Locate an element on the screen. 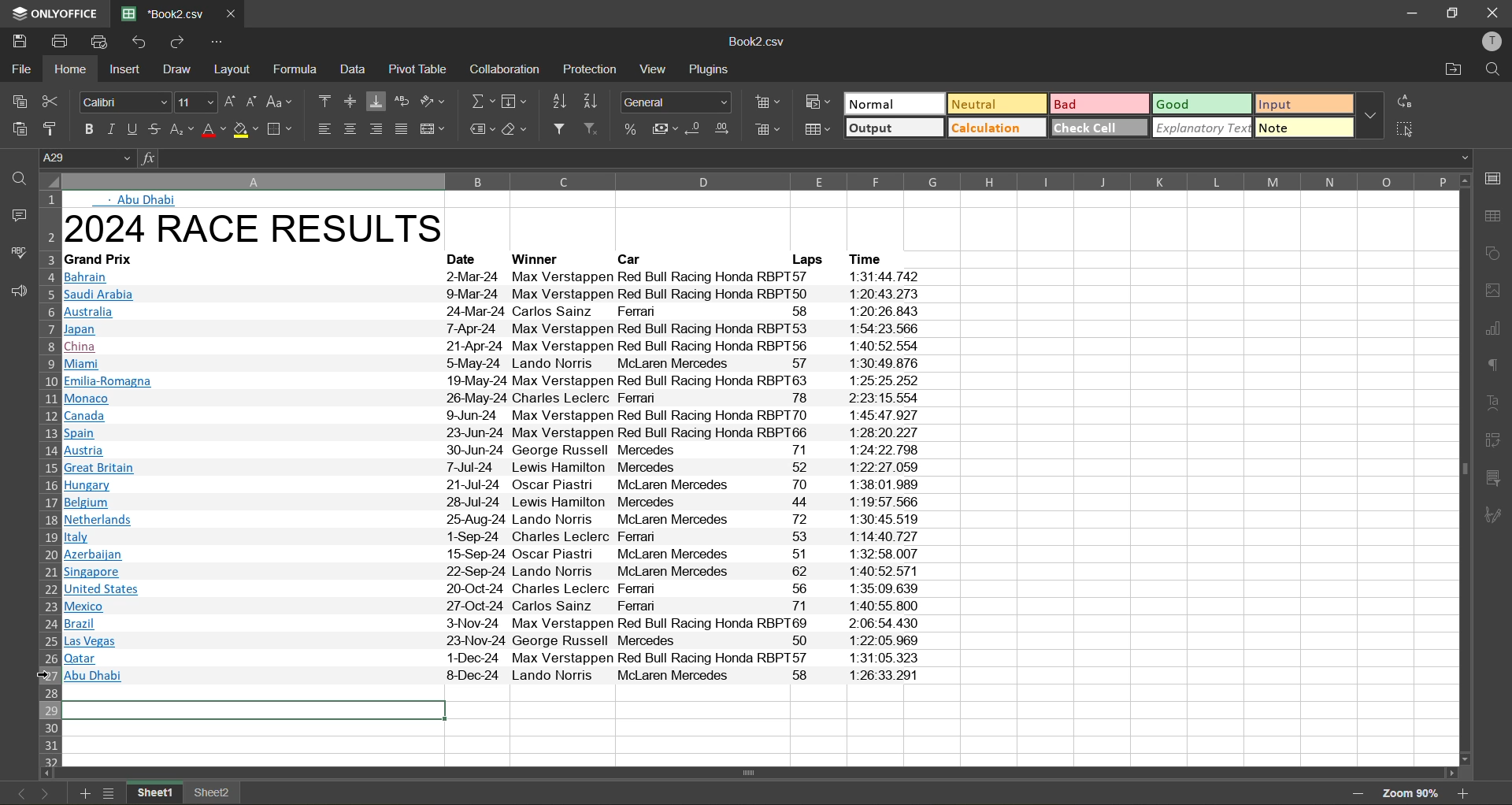 The height and width of the screenshot is (805, 1512). text info is located at coordinates (502, 484).